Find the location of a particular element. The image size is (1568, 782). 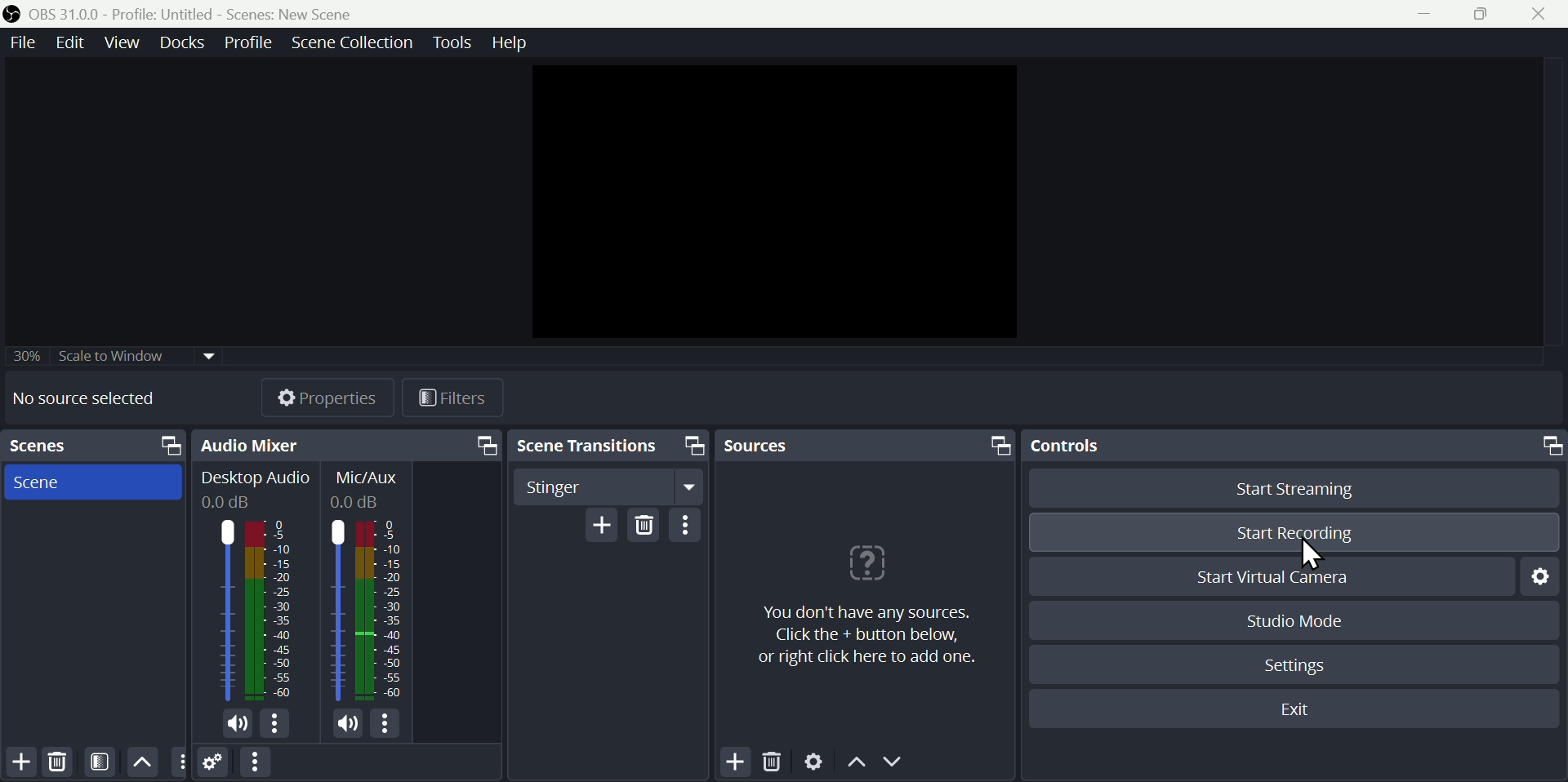

Delete is located at coordinates (770, 762).